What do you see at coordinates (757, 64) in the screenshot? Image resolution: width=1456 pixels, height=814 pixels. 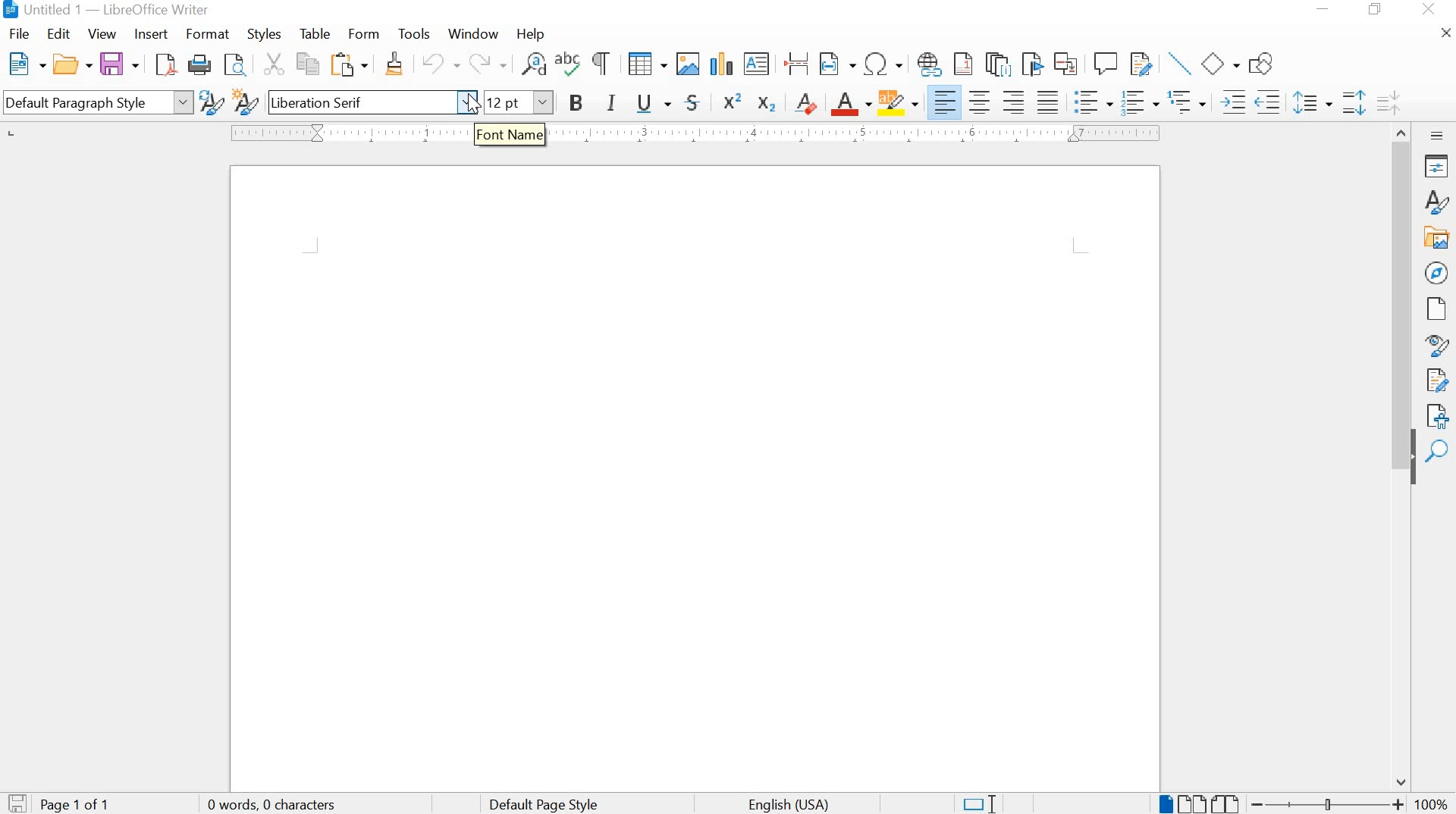 I see `INSERT TEXT BOX` at bounding box center [757, 64].